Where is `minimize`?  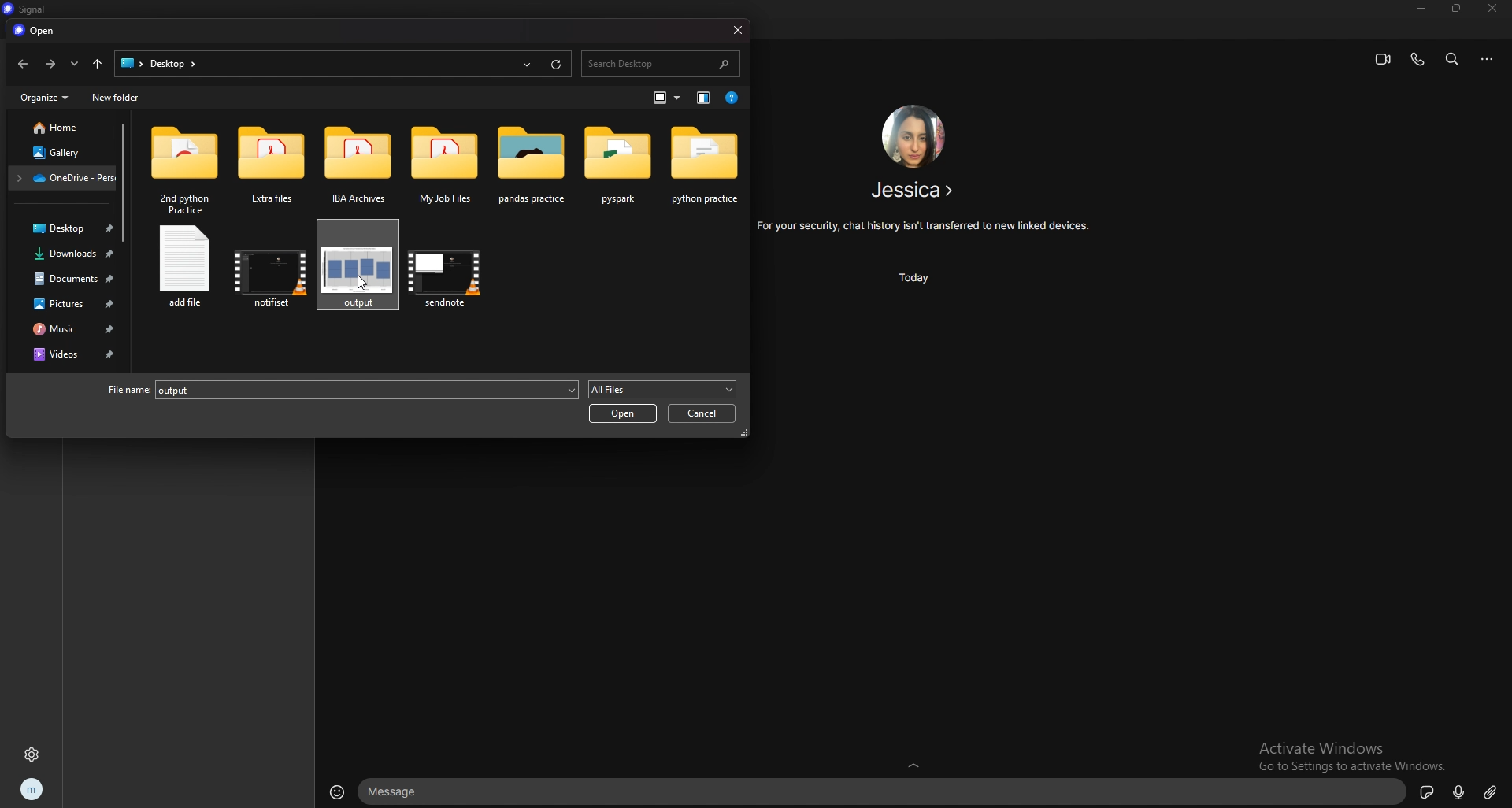
minimize is located at coordinates (1421, 9).